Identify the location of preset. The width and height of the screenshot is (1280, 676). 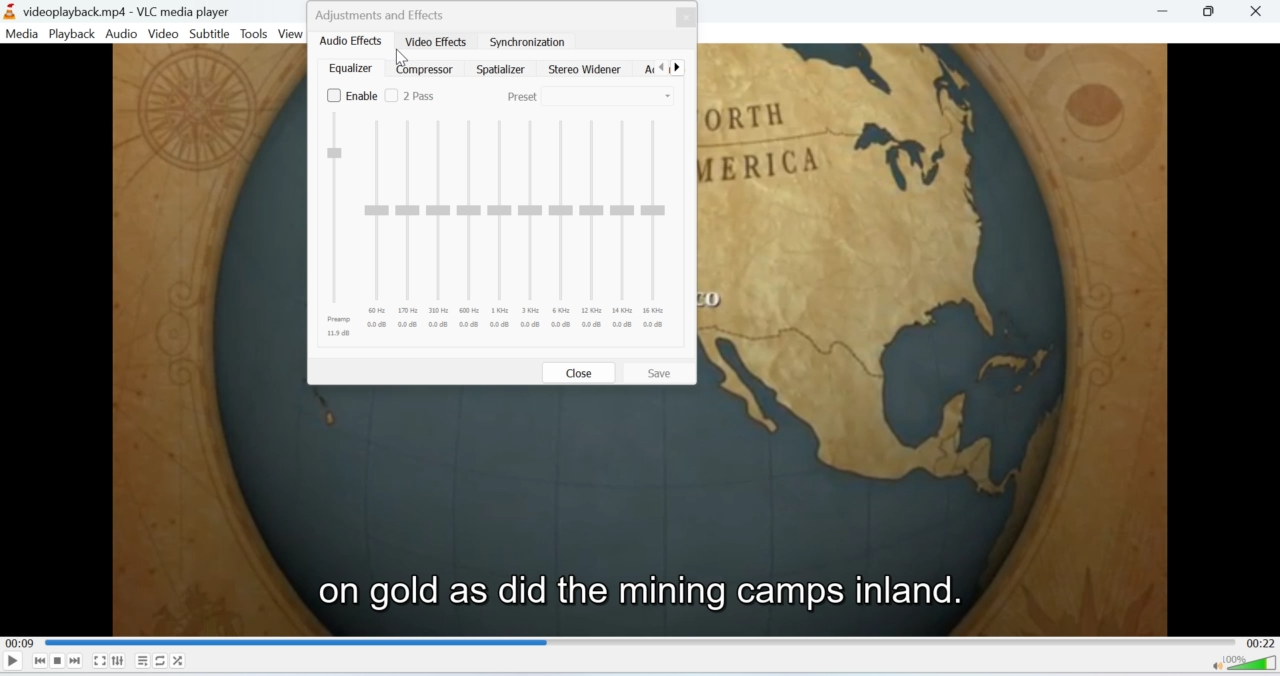
(587, 96).